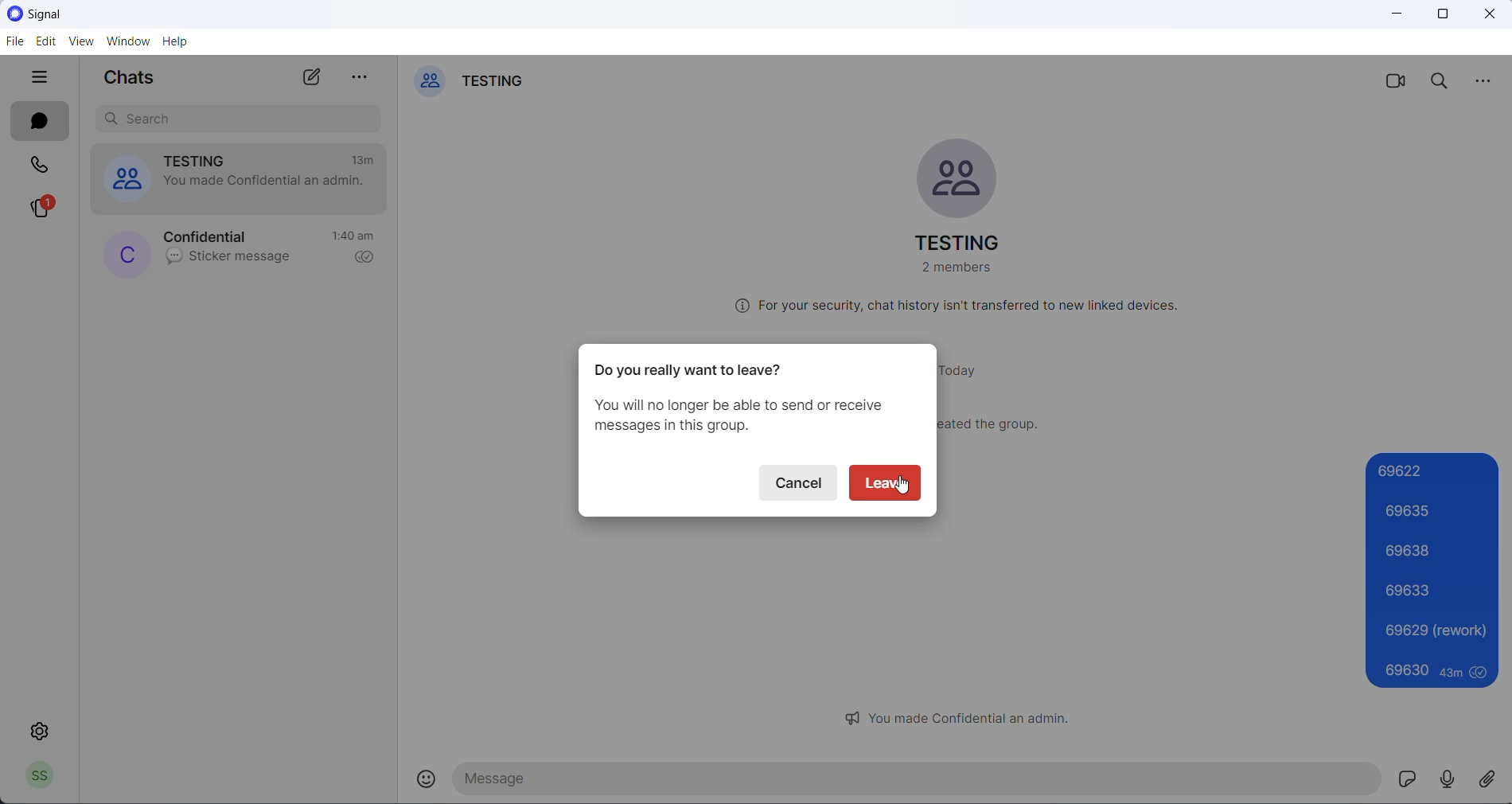  I want to click on search for chat, so click(241, 121).